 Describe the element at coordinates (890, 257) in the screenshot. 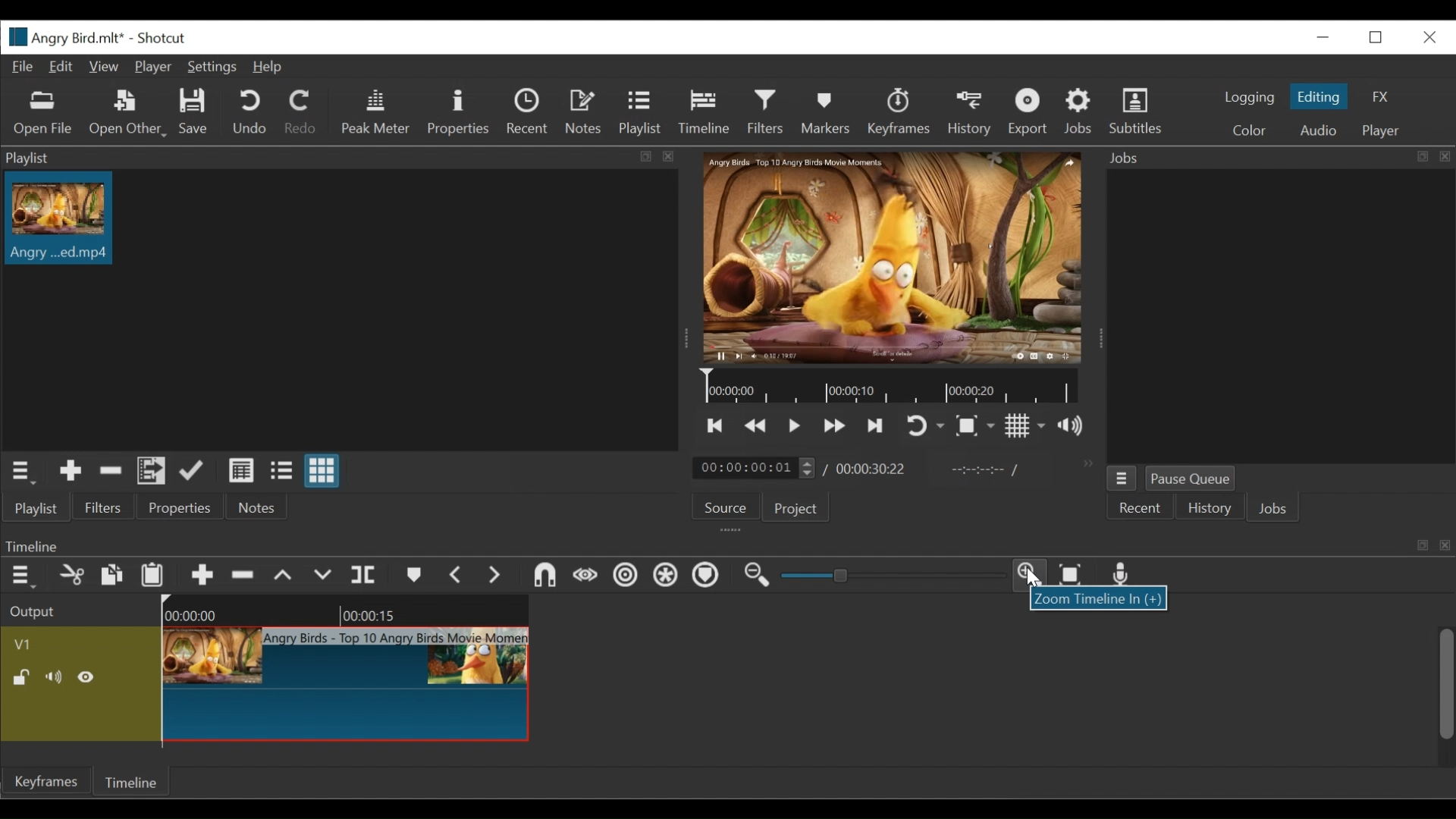

I see `Media Viewer` at that location.